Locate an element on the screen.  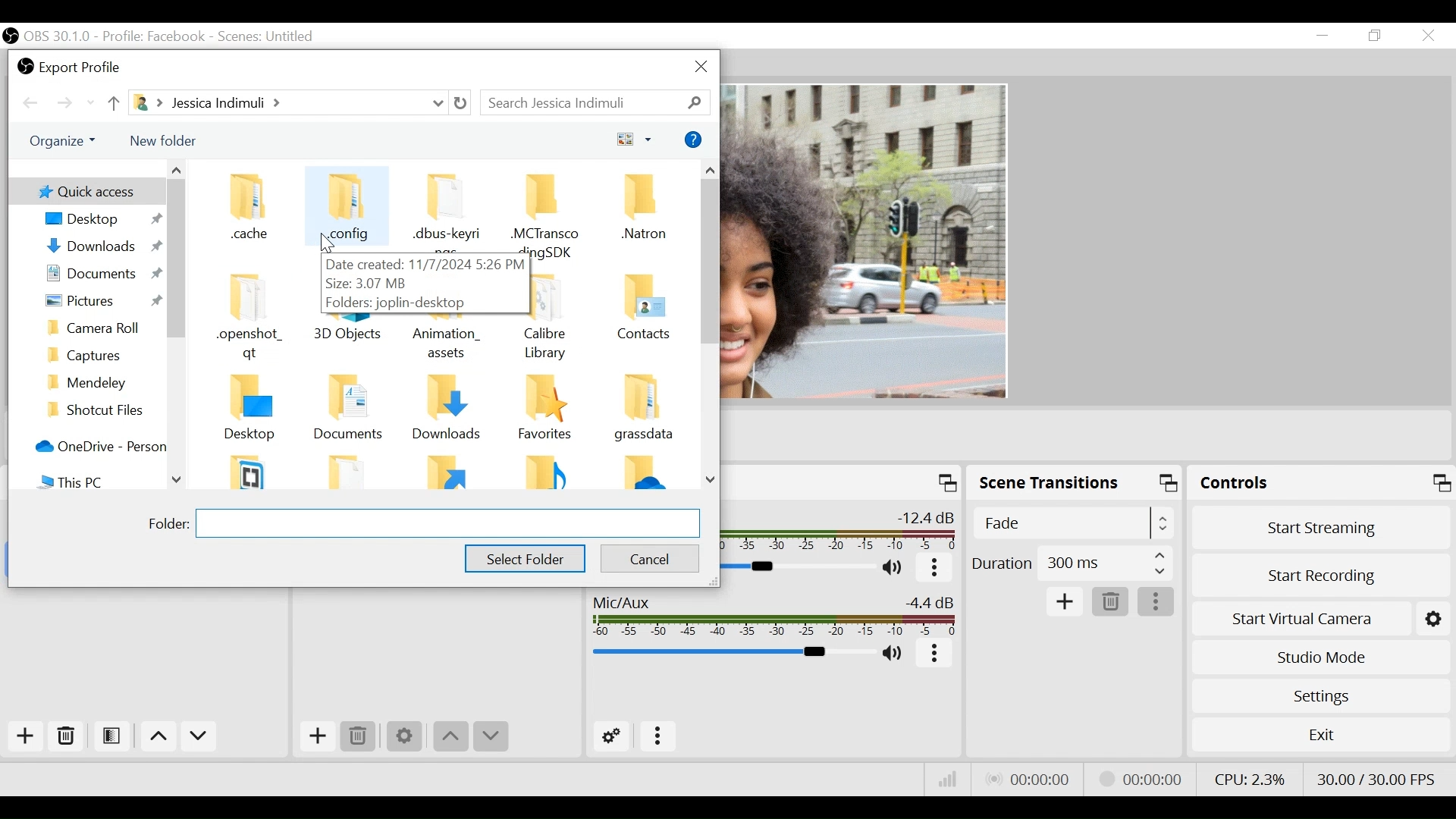
Folder is located at coordinates (449, 411).